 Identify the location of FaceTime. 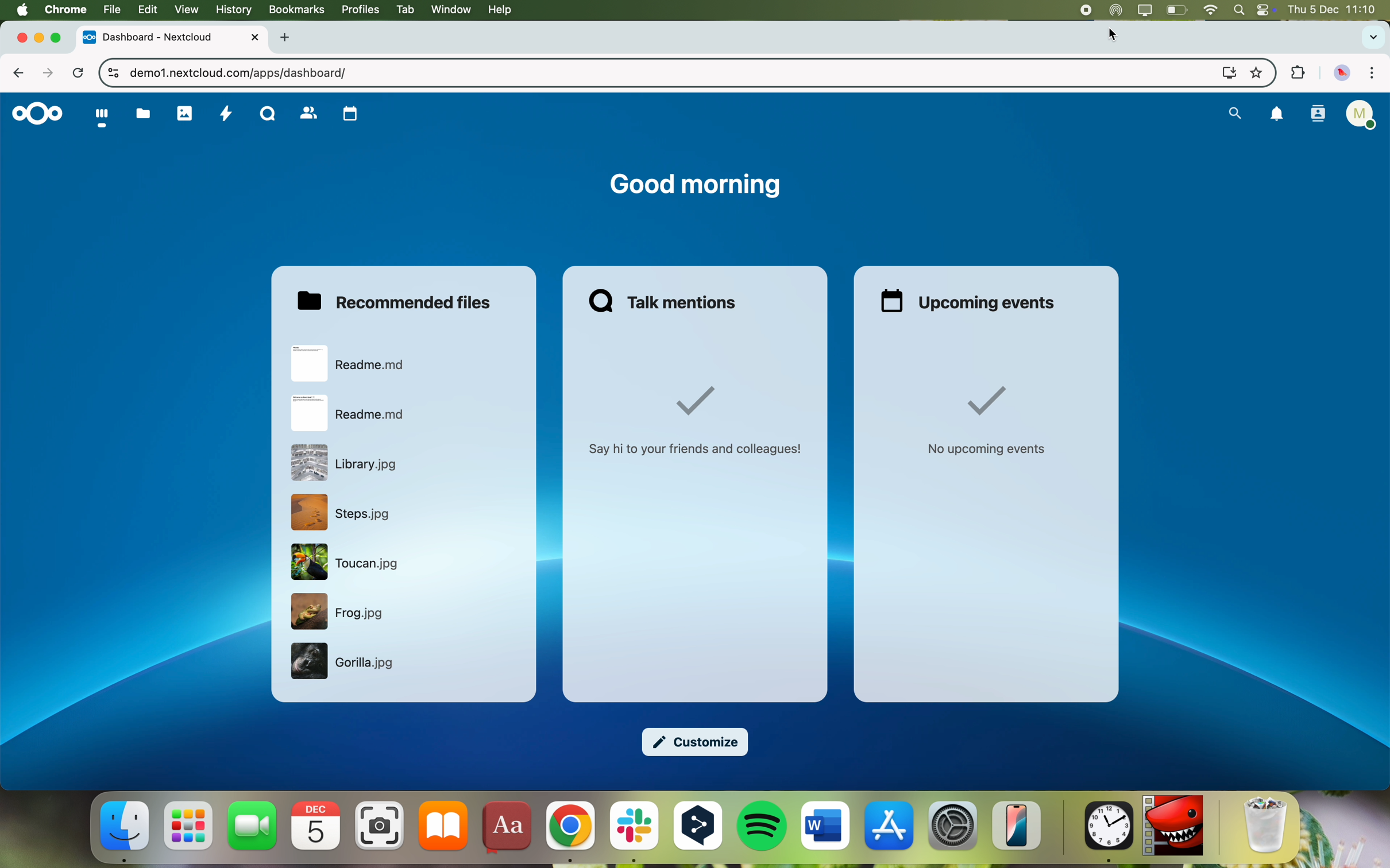
(253, 826).